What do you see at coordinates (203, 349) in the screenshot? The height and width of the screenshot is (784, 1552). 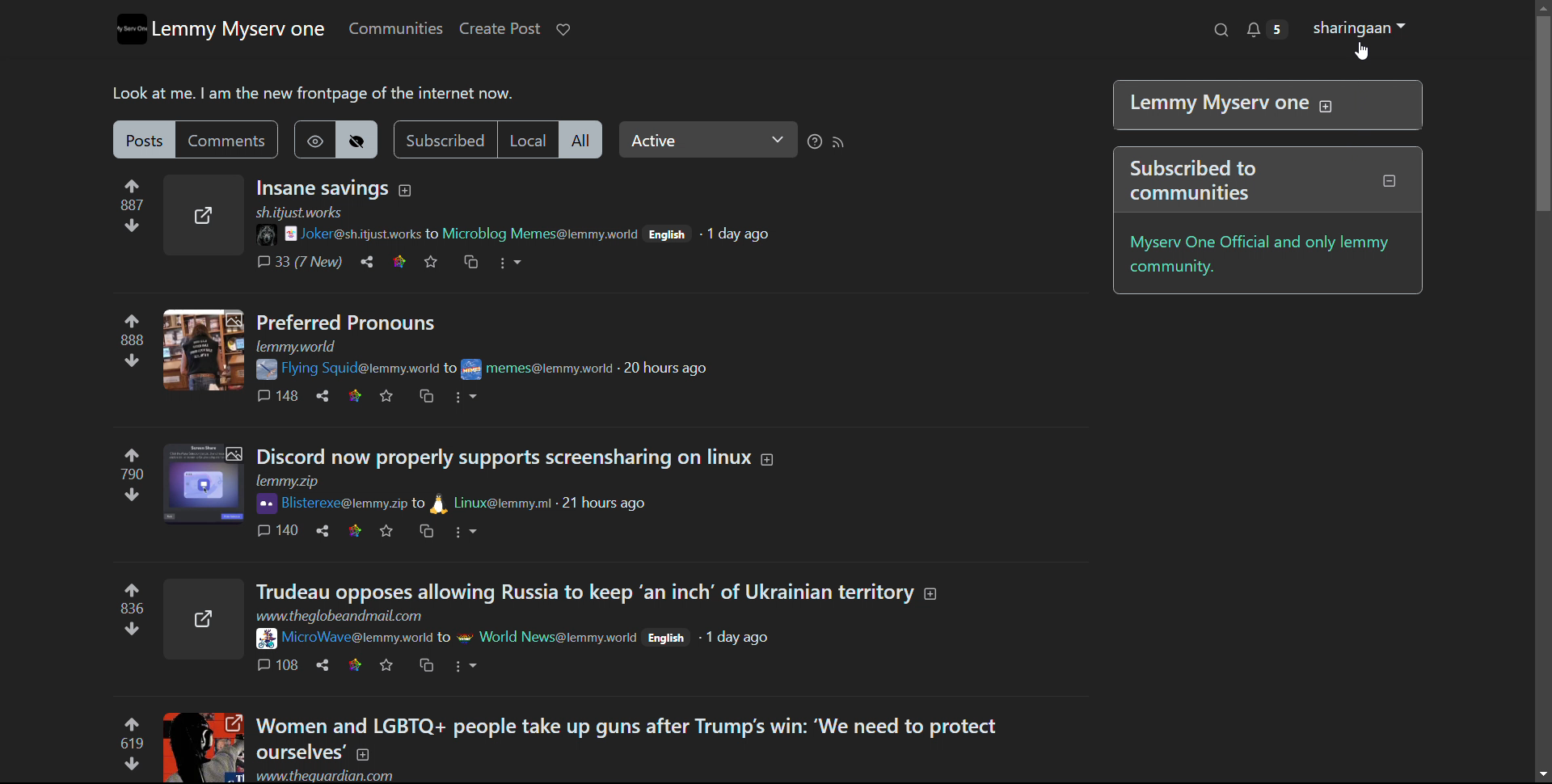 I see `expand here` at bounding box center [203, 349].